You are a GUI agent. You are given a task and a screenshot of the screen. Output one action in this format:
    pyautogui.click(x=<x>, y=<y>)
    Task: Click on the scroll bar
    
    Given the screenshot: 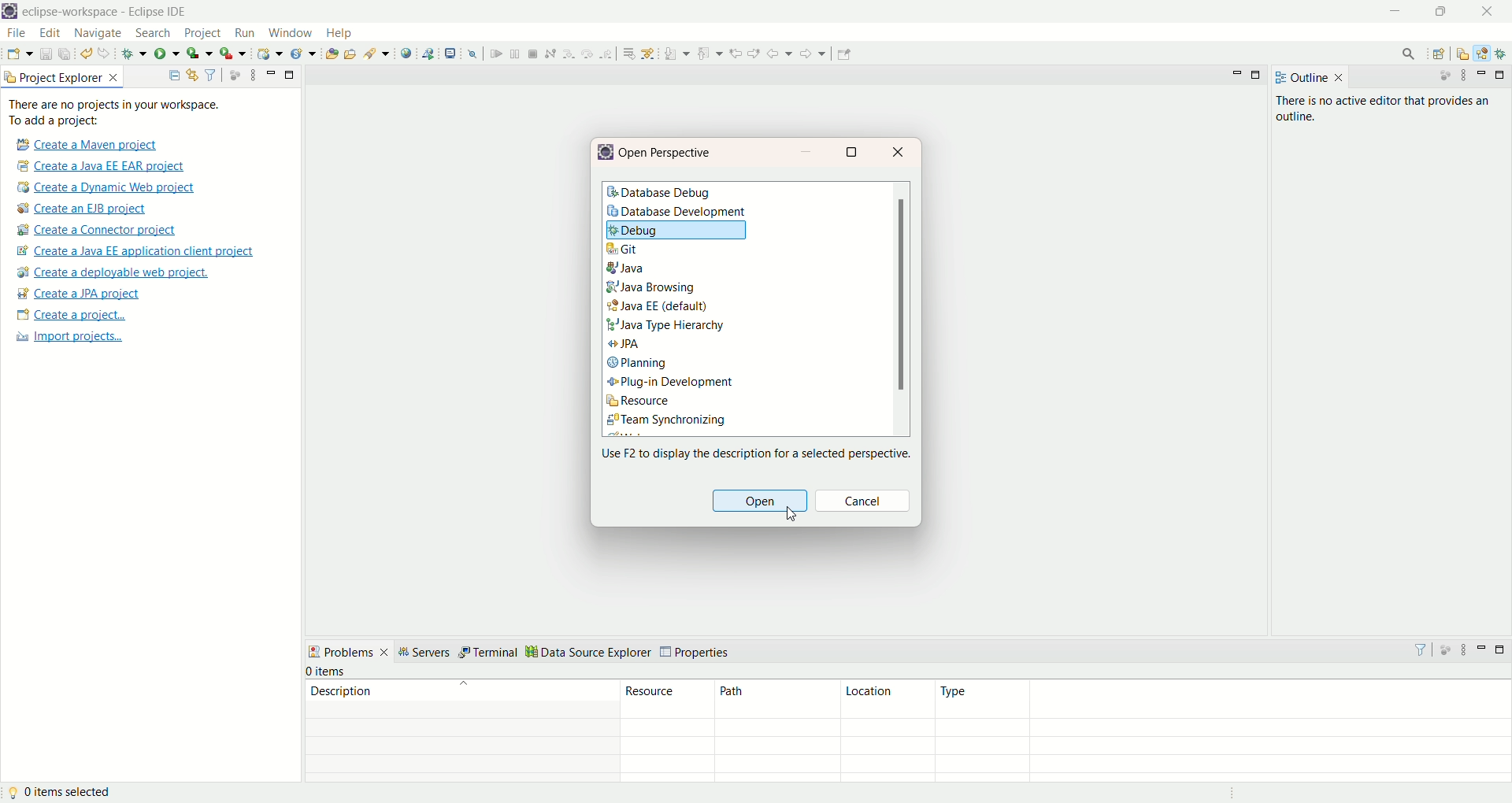 What is the action you would take?
    pyautogui.click(x=900, y=309)
    